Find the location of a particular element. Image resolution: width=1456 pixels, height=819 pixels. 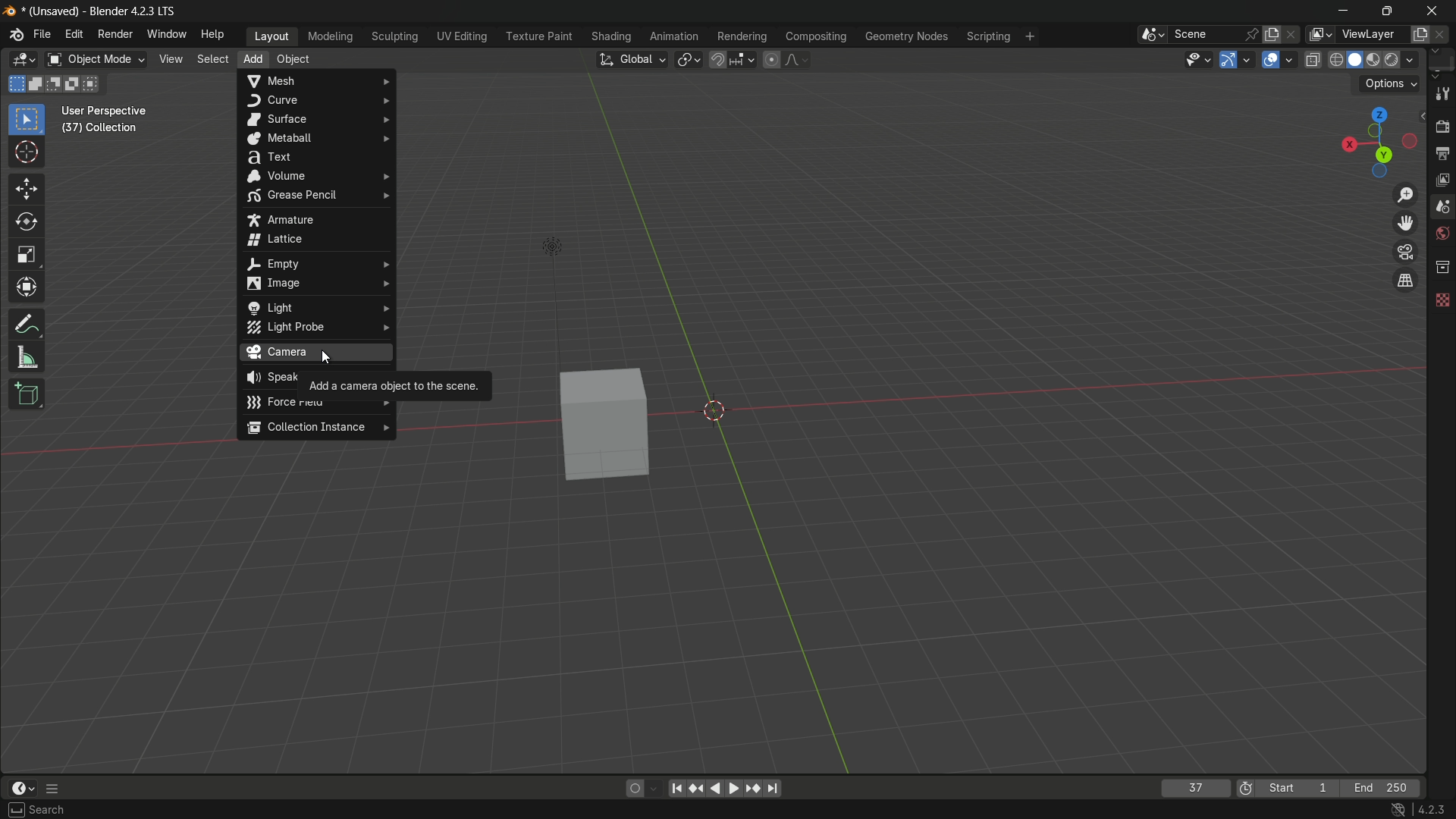

maximize or restore is located at coordinates (1385, 11).